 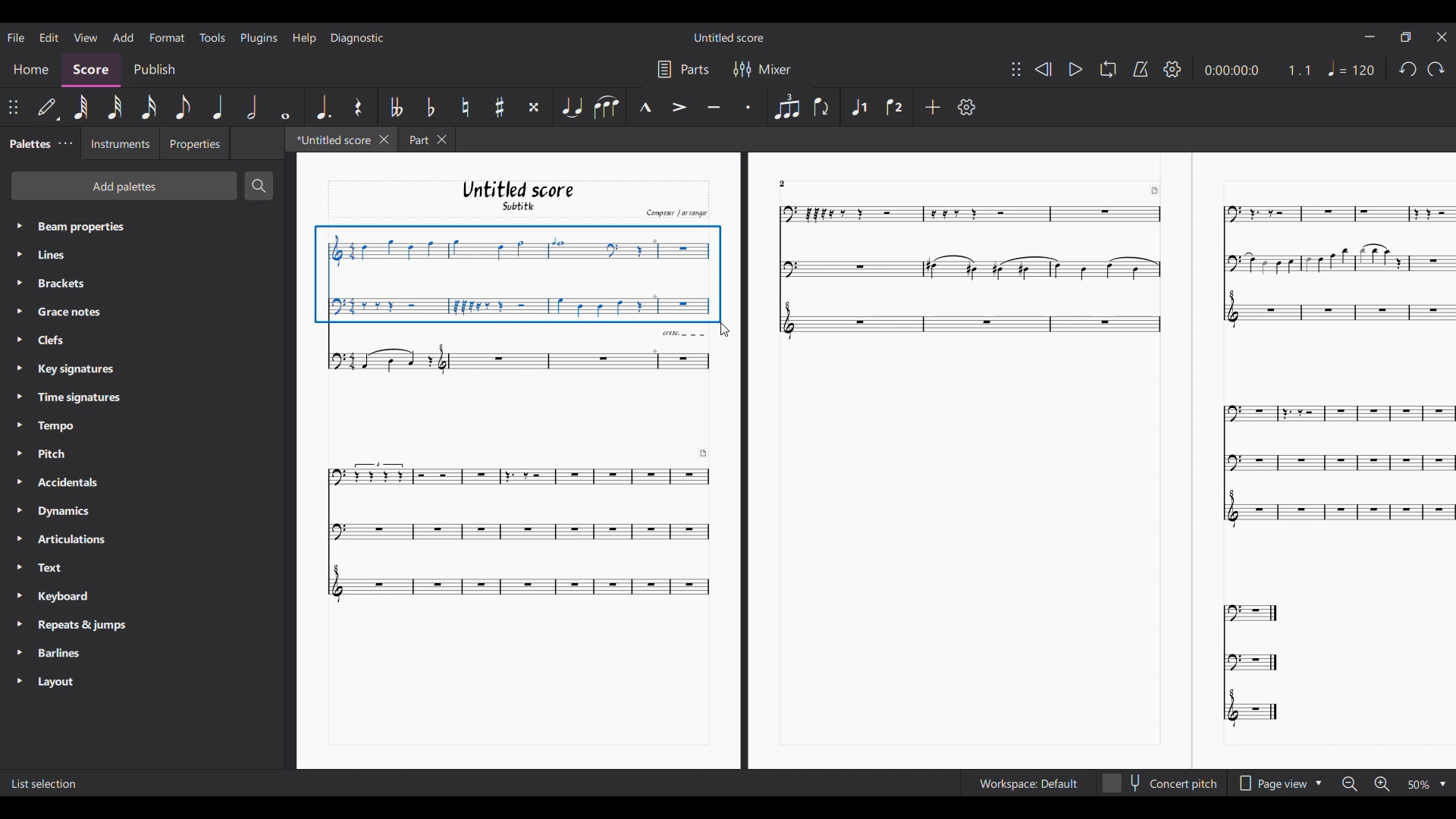 What do you see at coordinates (522, 475) in the screenshot?
I see `` at bounding box center [522, 475].